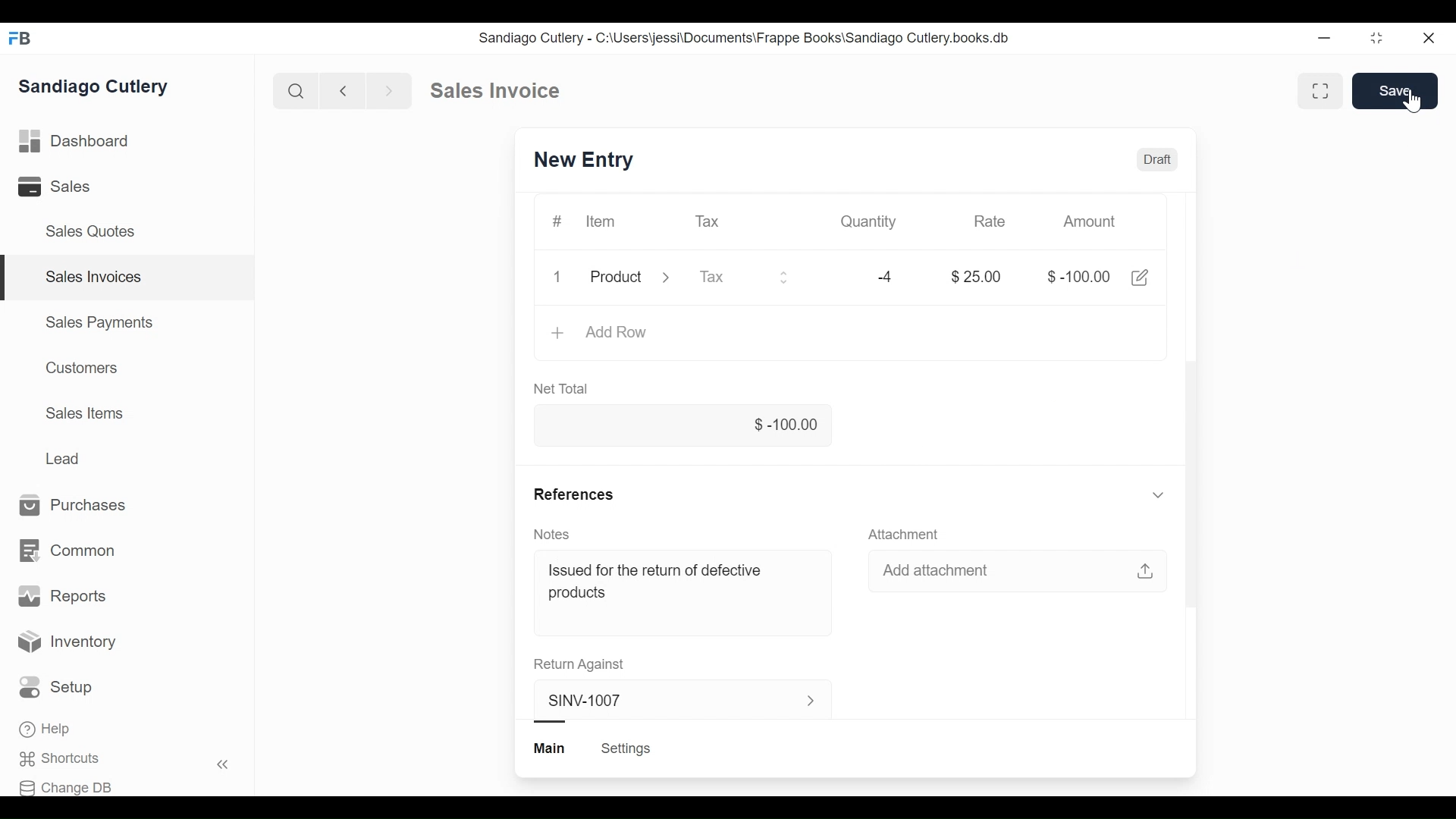 The width and height of the screenshot is (1456, 819). What do you see at coordinates (67, 787) in the screenshot?
I see ` Change DB` at bounding box center [67, 787].